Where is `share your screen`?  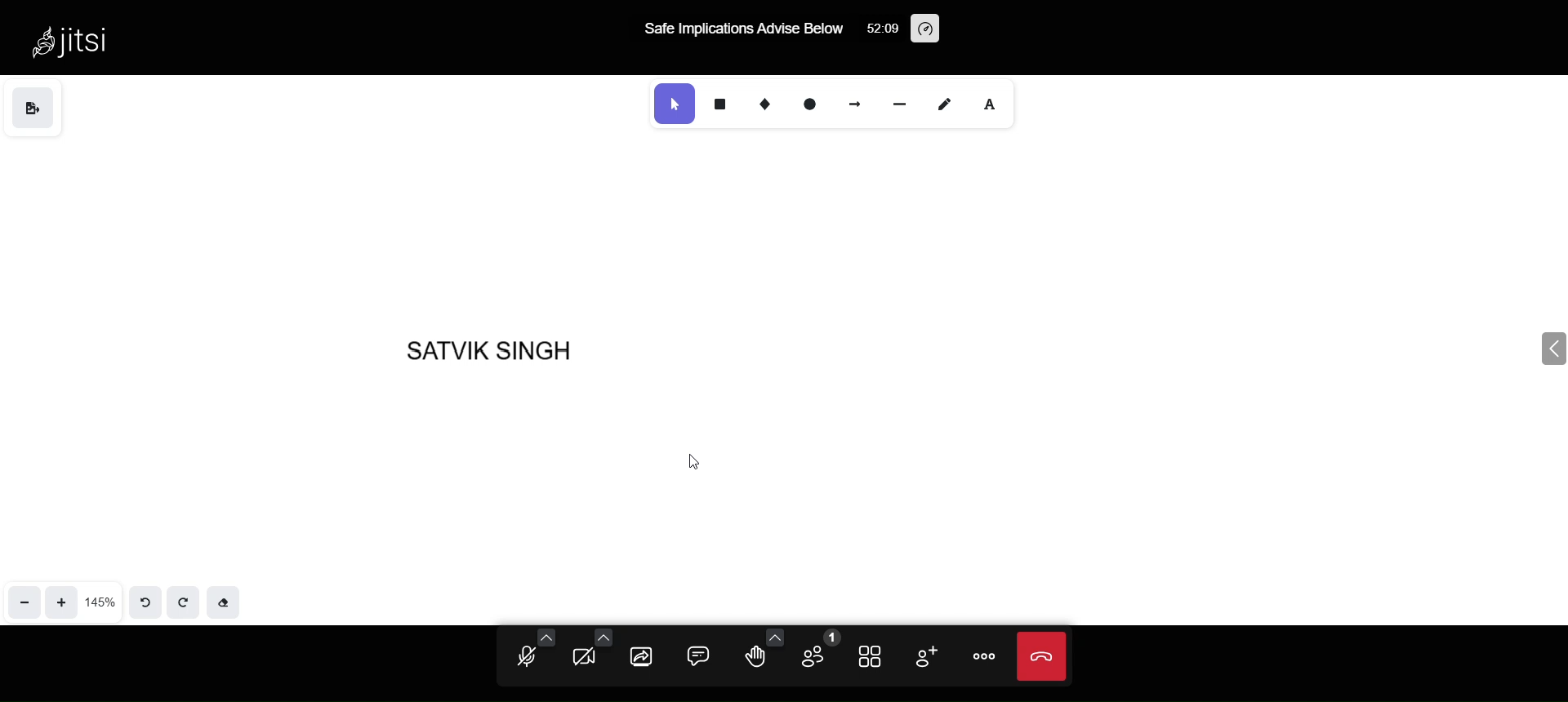
share your screen is located at coordinates (640, 659).